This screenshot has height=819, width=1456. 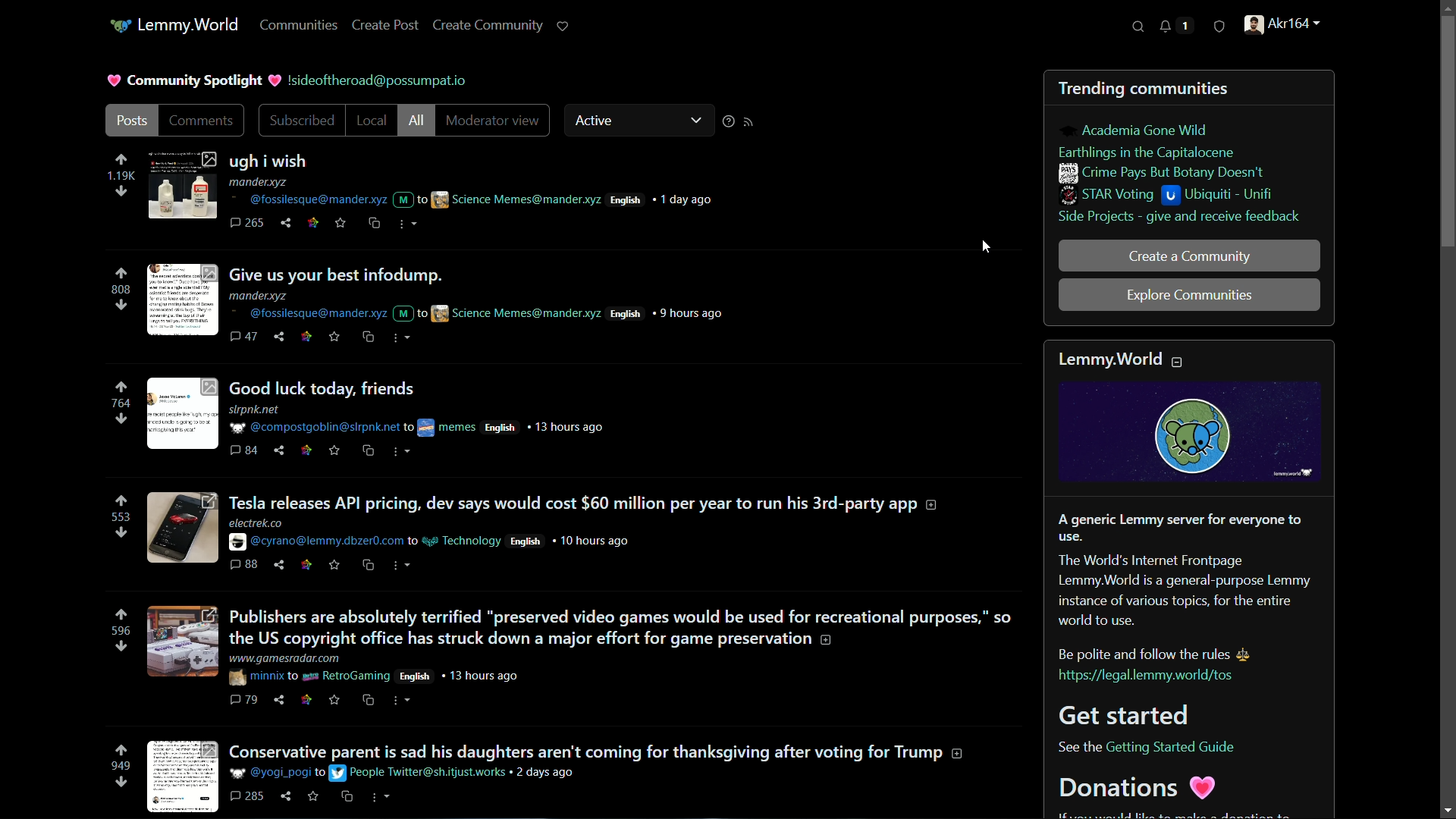 I want to click on link, so click(x=306, y=700).